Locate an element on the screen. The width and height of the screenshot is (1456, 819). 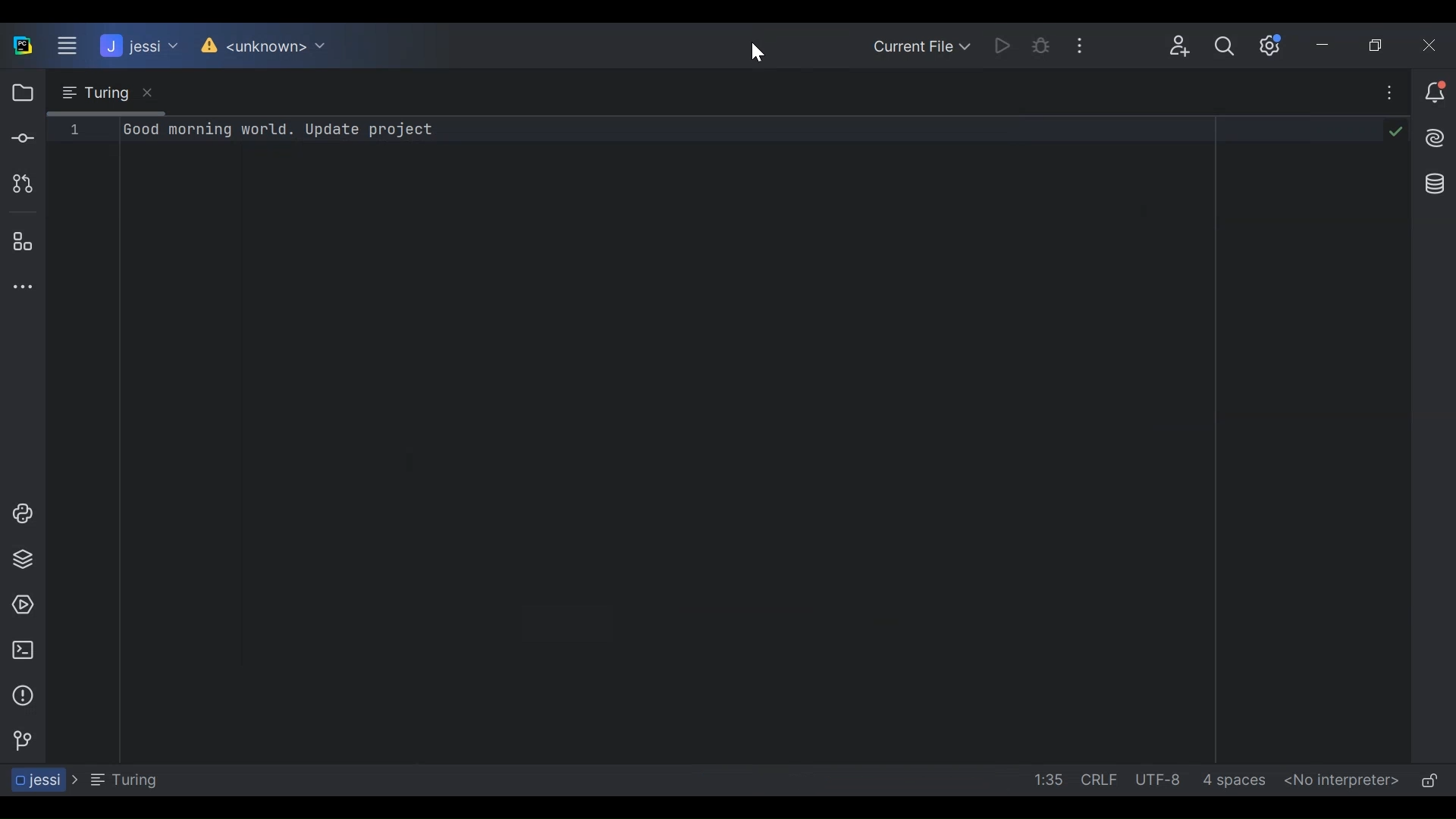
4 spaces is located at coordinates (1236, 782).